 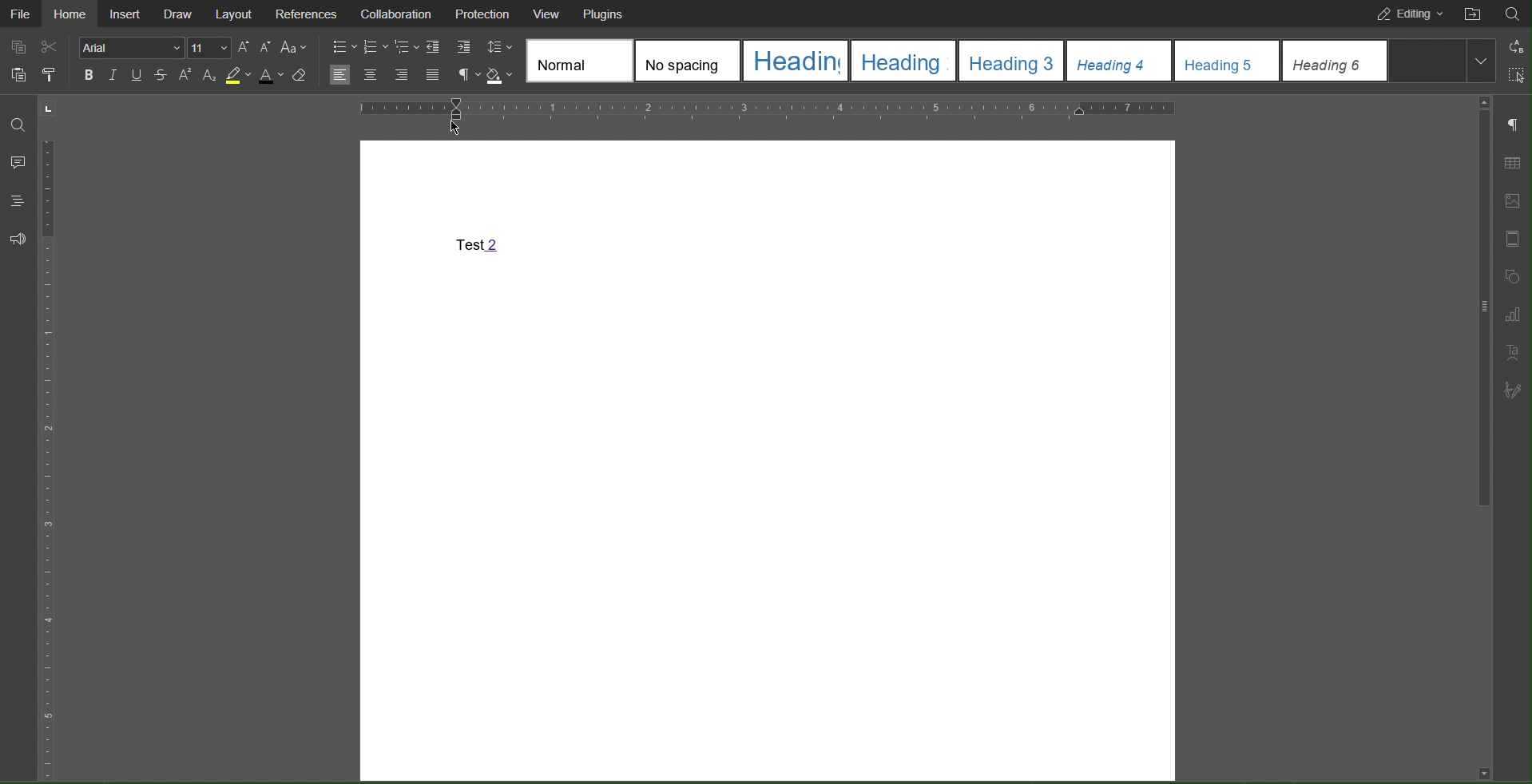 What do you see at coordinates (484, 14) in the screenshot?
I see `Protection` at bounding box center [484, 14].